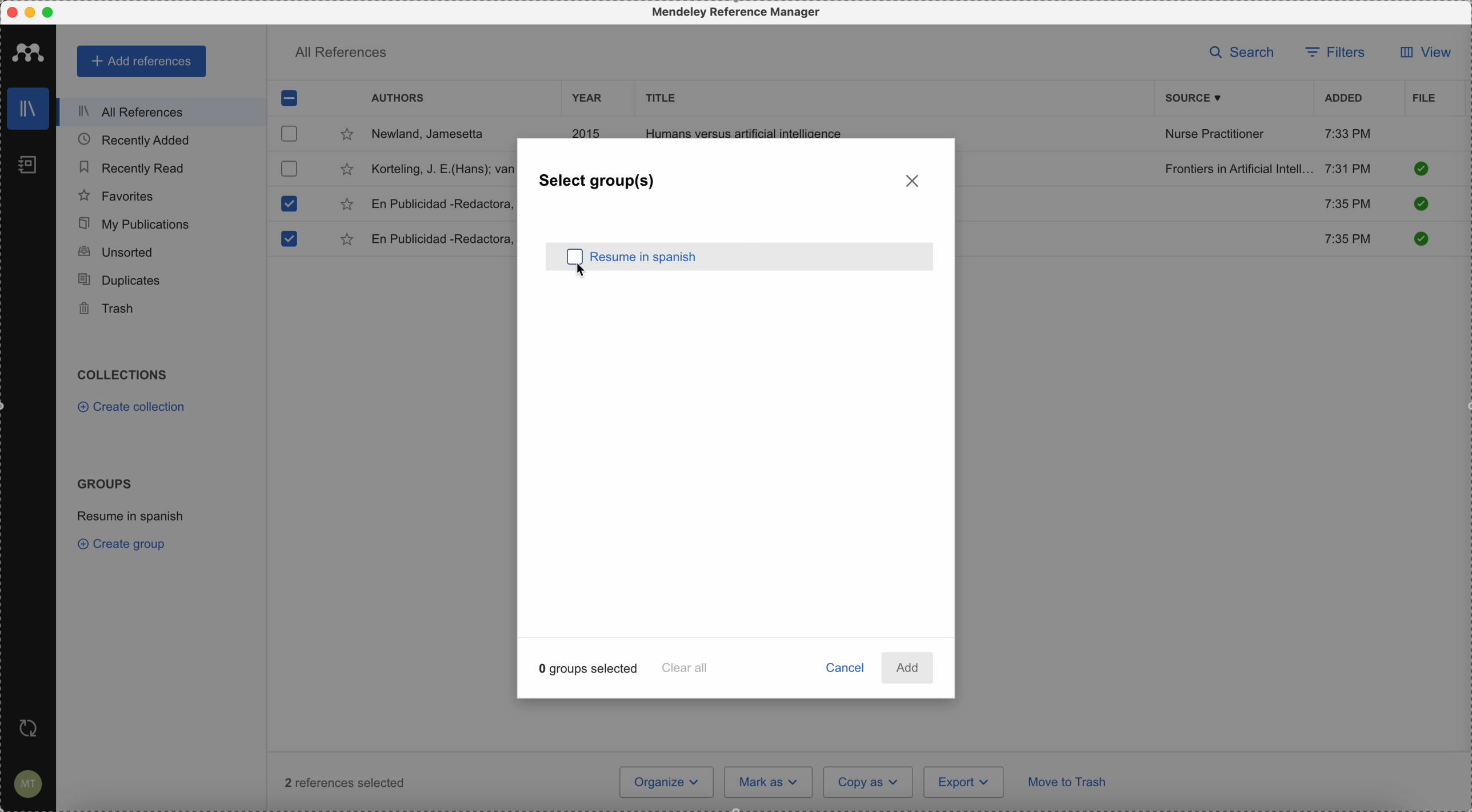  What do you see at coordinates (1419, 205) in the screenshot?
I see `check it` at bounding box center [1419, 205].